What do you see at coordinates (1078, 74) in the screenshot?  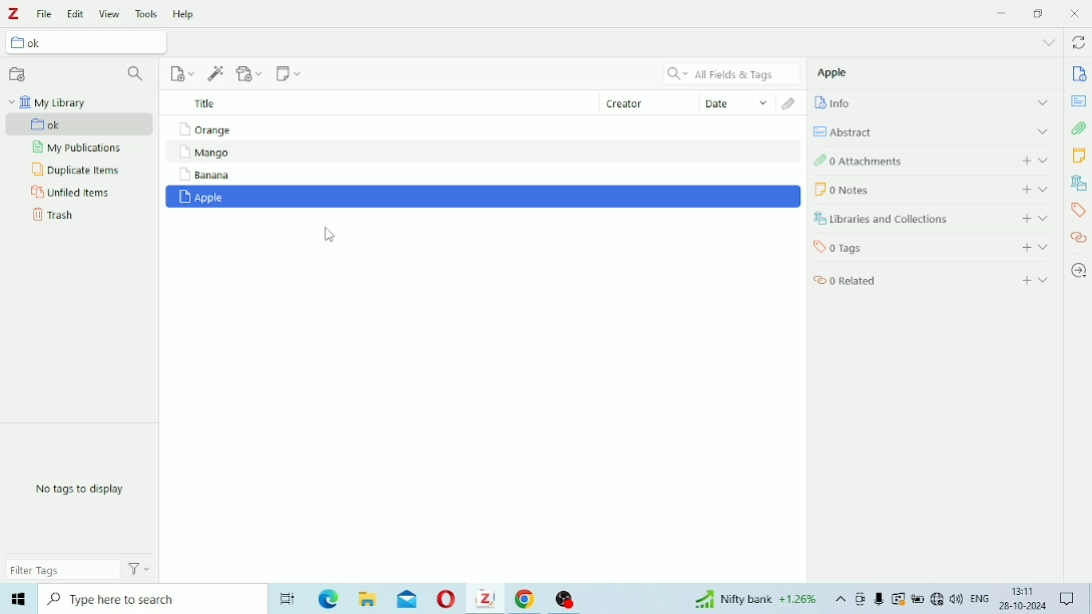 I see `Info` at bounding box center [1078, 74].